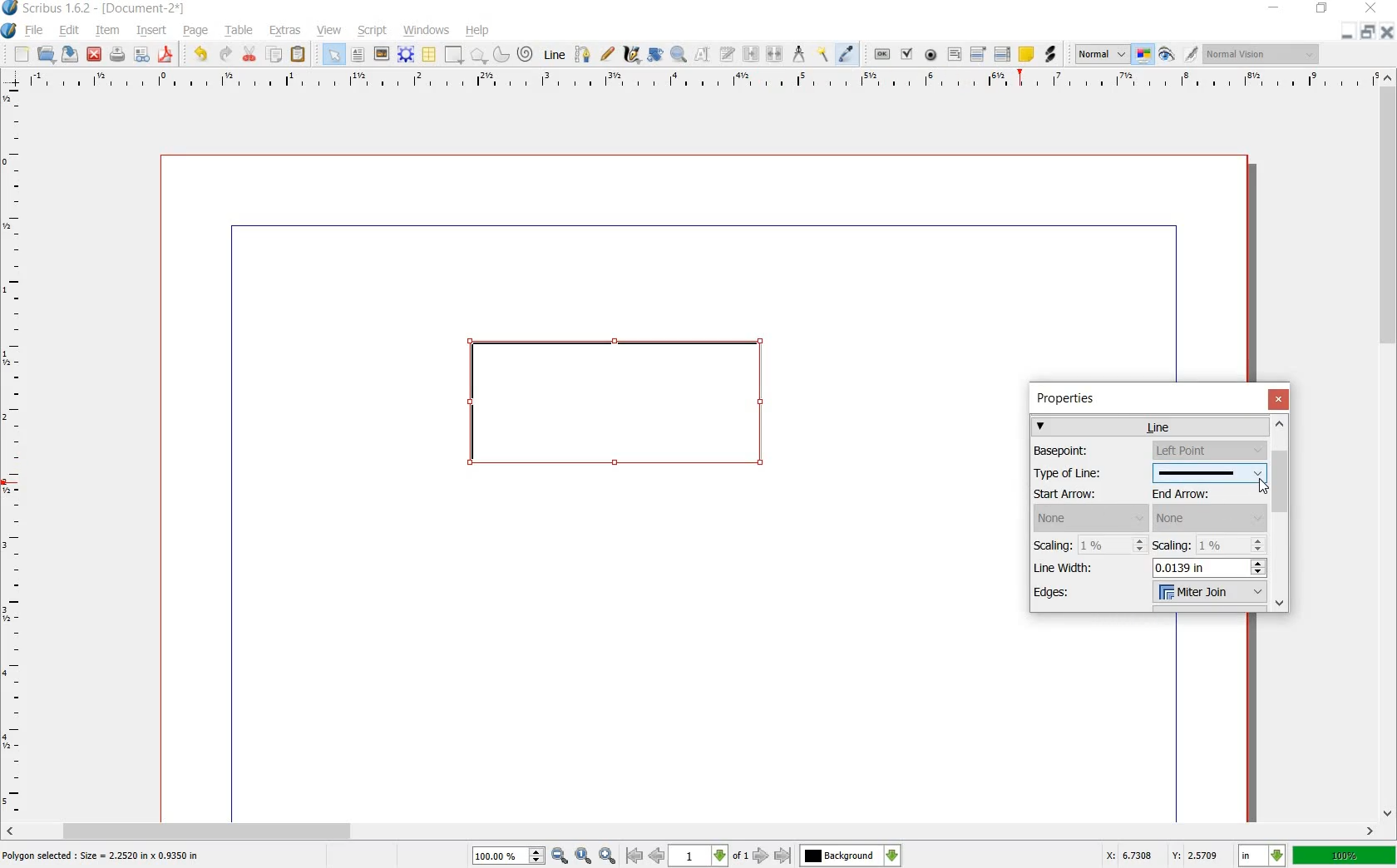 The width and height of the screenshot is (1397, 868). I want to click on UNDO, so click(198, 55).